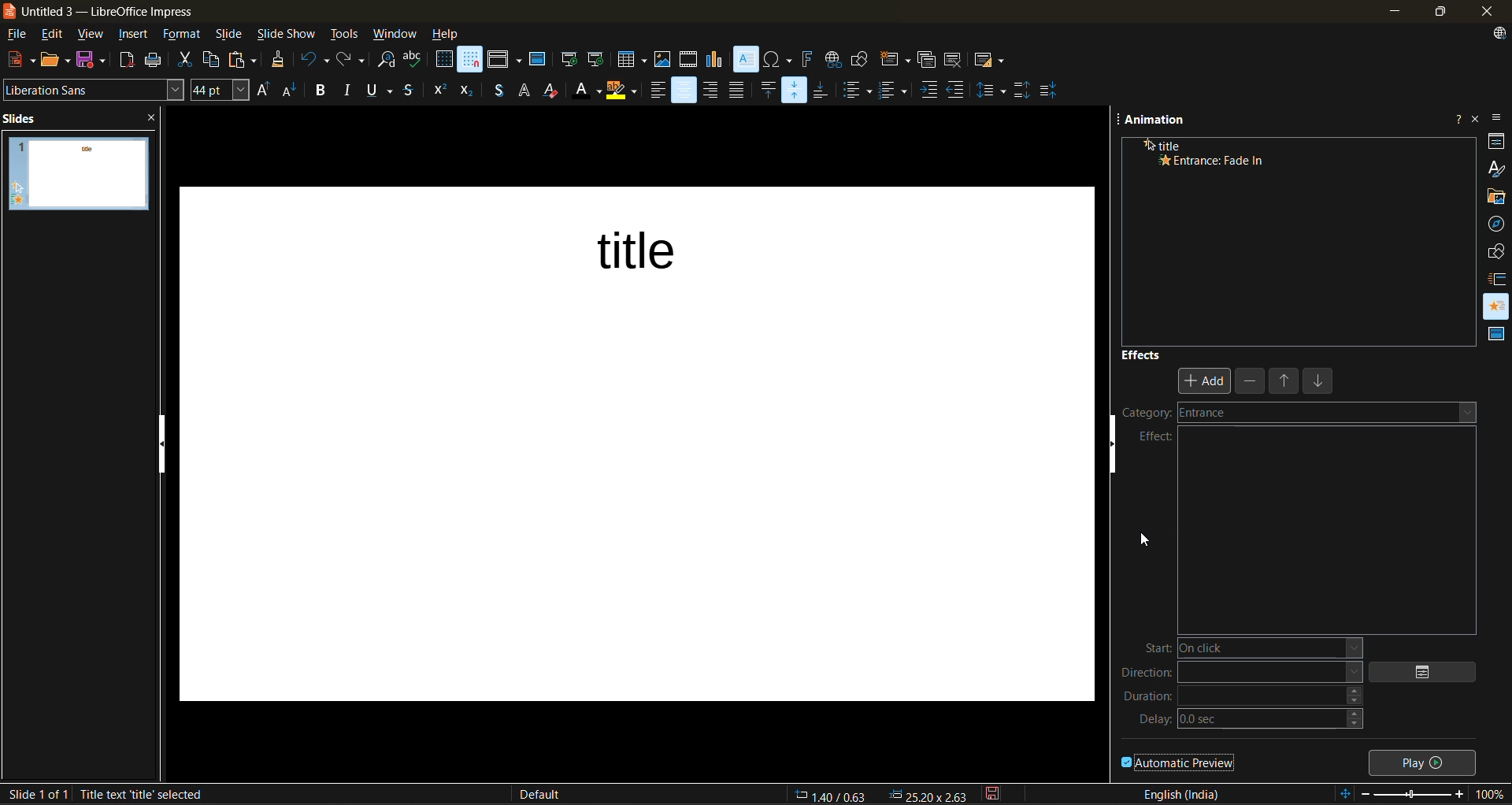 This screenshot has height=805, width=1512. What do you see at coordinates (1172, 416) in the screenshot?
I see `company` at bounding box center [1172, 416].